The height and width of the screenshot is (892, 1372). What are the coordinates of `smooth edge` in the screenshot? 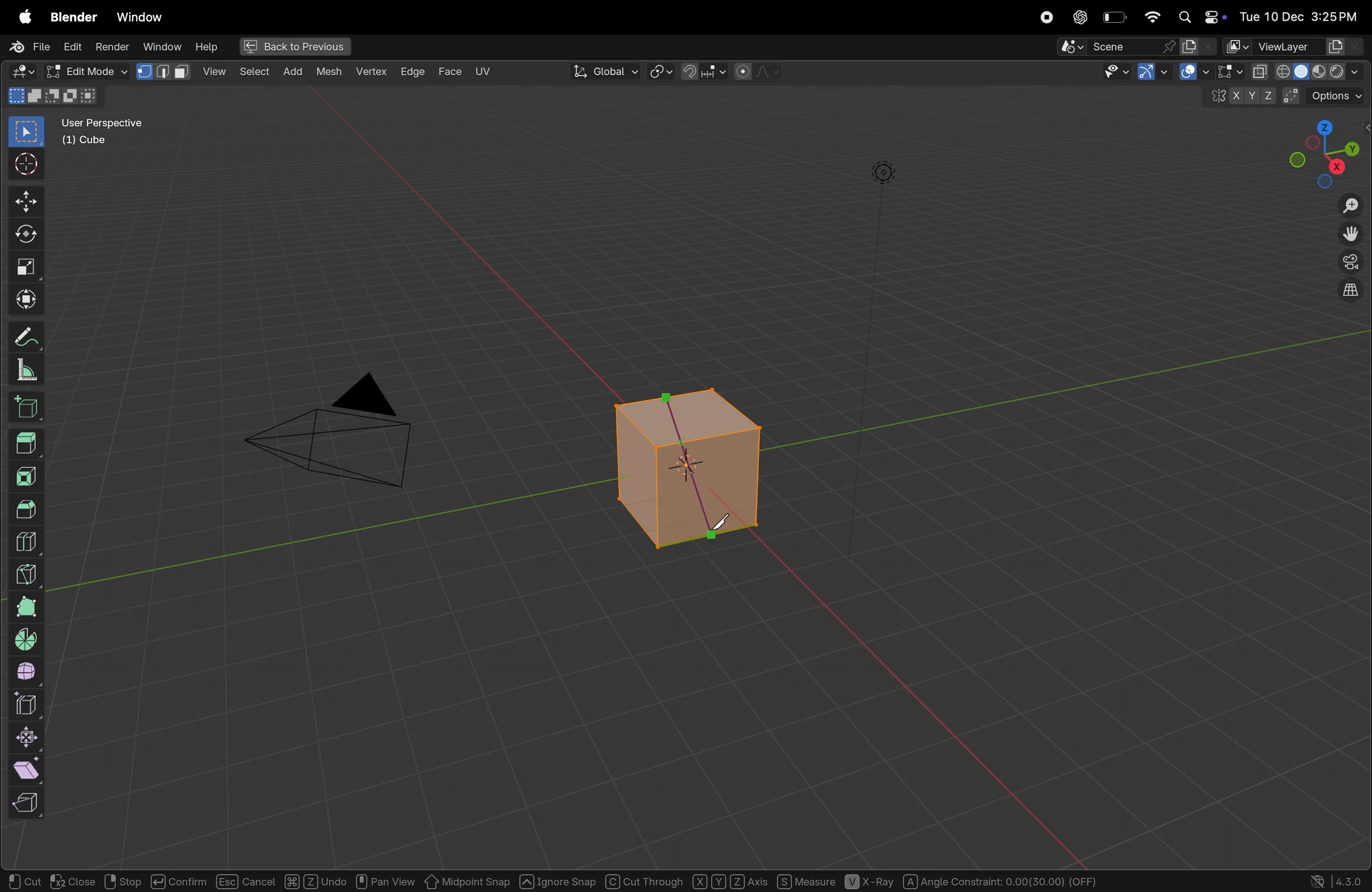 It's located at (29, 673).